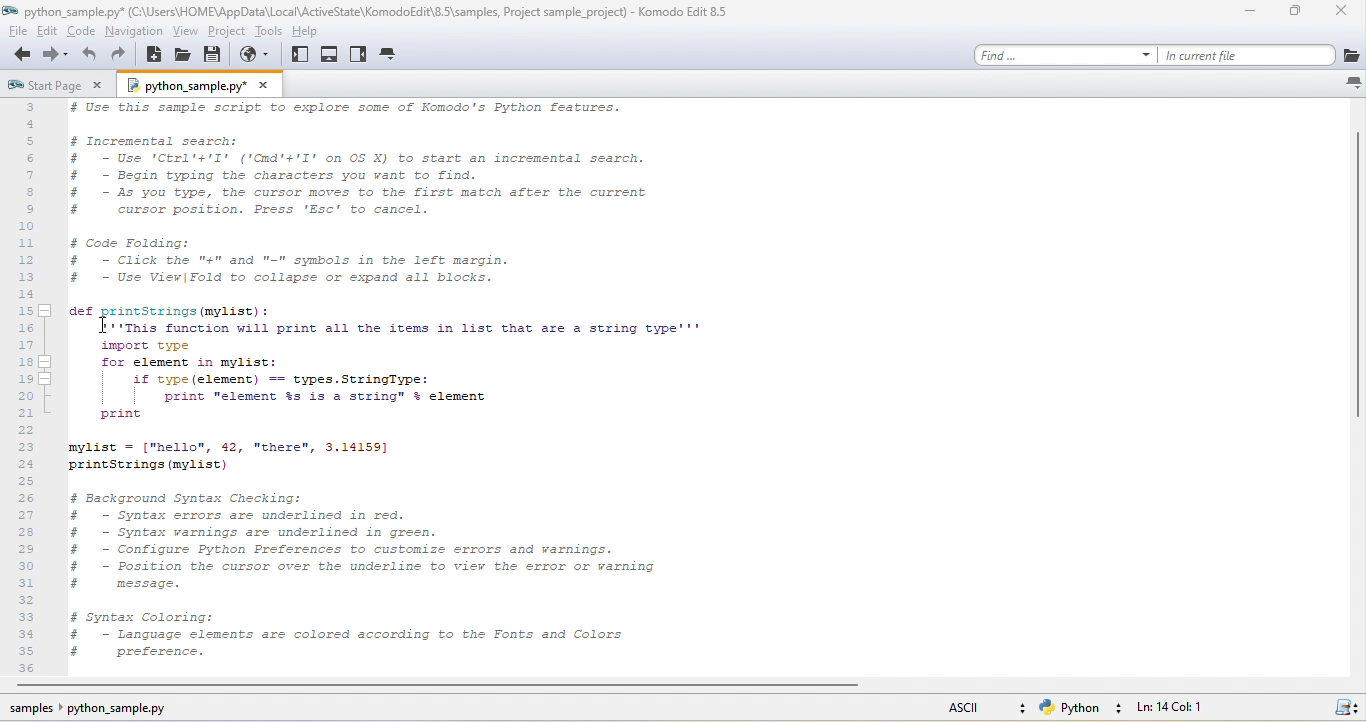 Image resolution: width=1366 pixels, height=722 pixels. What do you see at coordinates (98, 87) in the screenshot?
I see `close` at bounding box center [98, 87].